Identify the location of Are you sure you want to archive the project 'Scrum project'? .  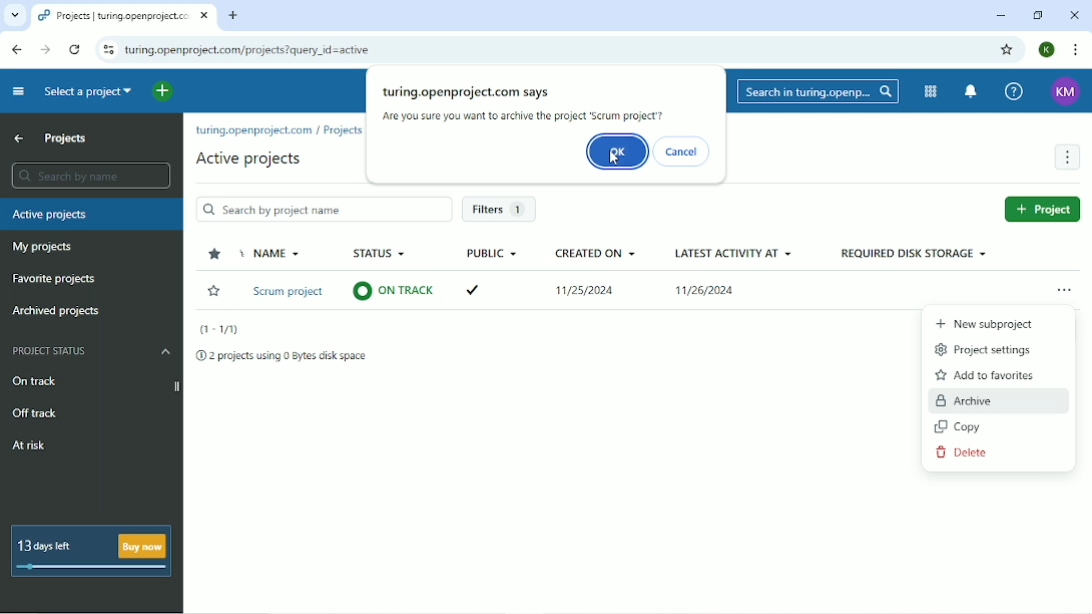
(525, 117).